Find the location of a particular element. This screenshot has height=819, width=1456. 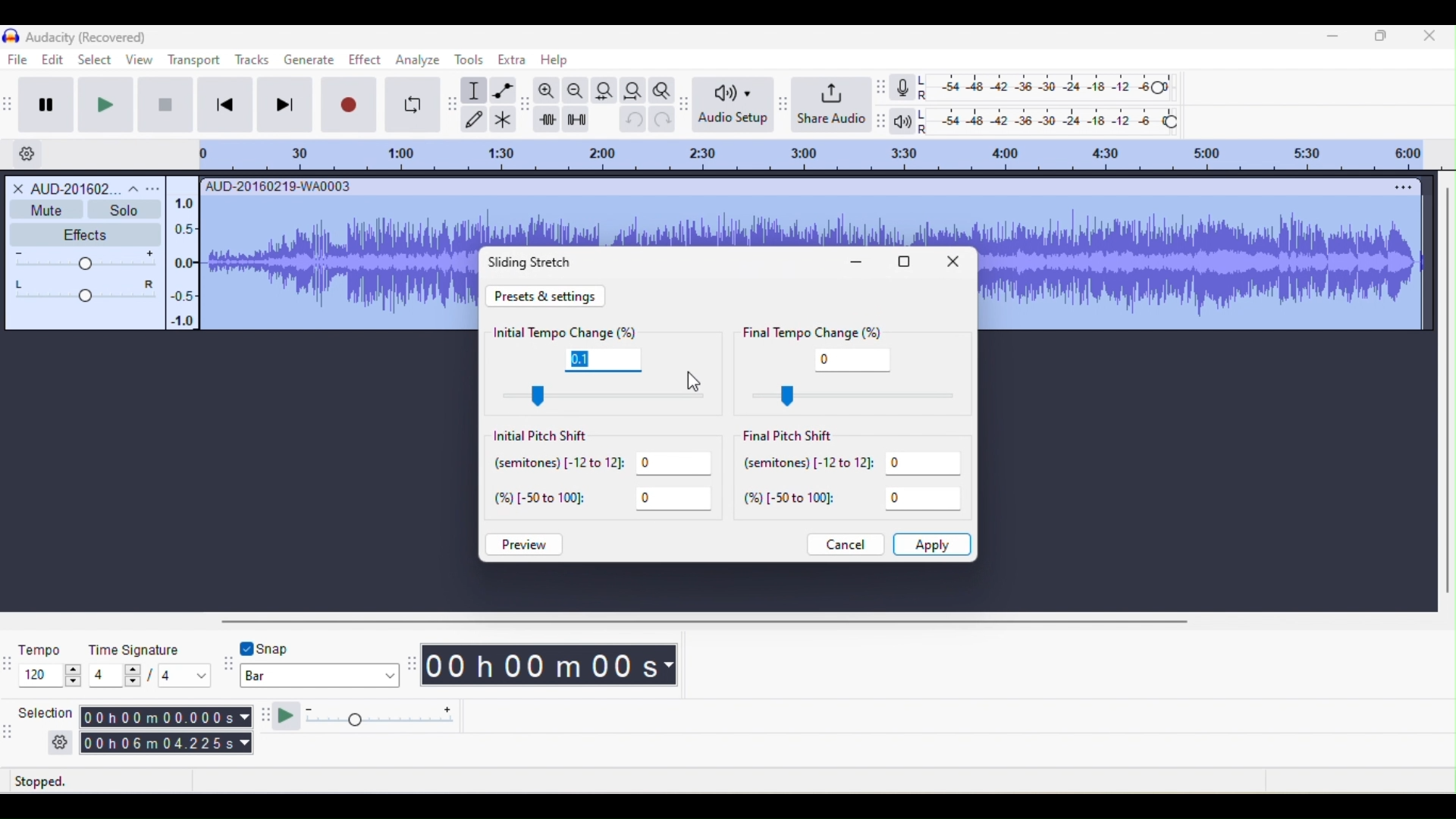

enable looping is located at coordinates (412, 105).